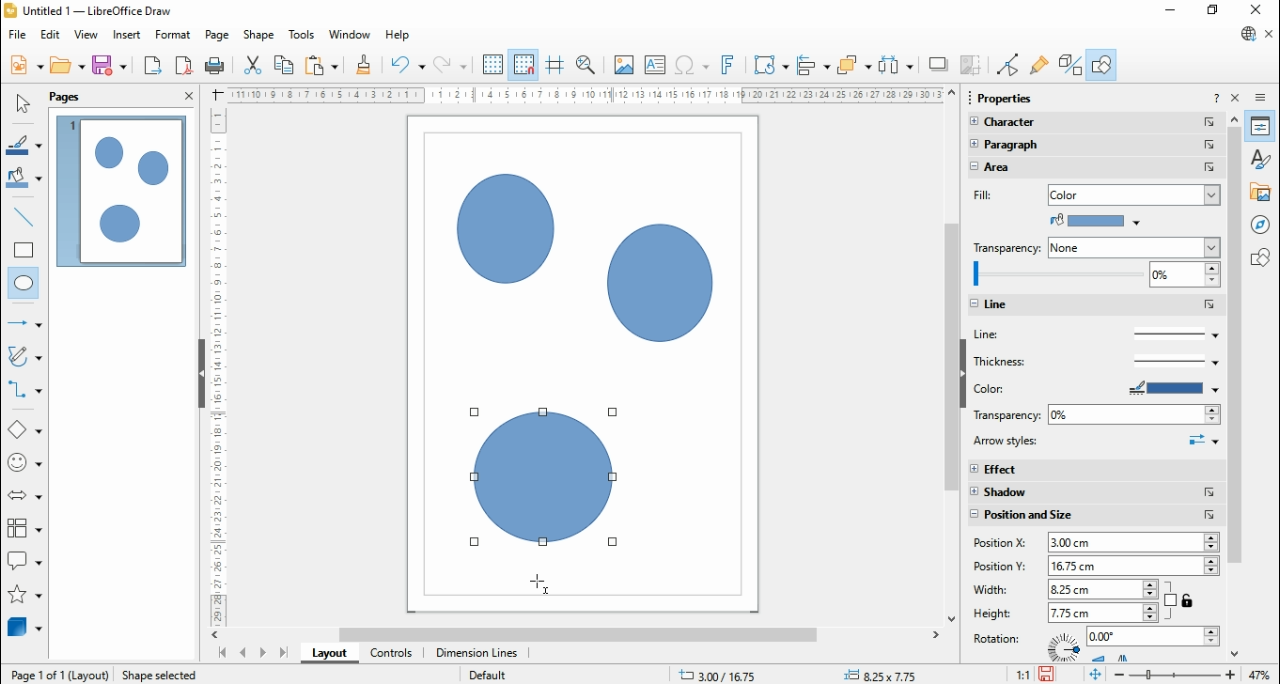  What do you see at coordinates (26, 465) in the screenshot?
I see `symbol shapes` at bounding box center [26, 465].